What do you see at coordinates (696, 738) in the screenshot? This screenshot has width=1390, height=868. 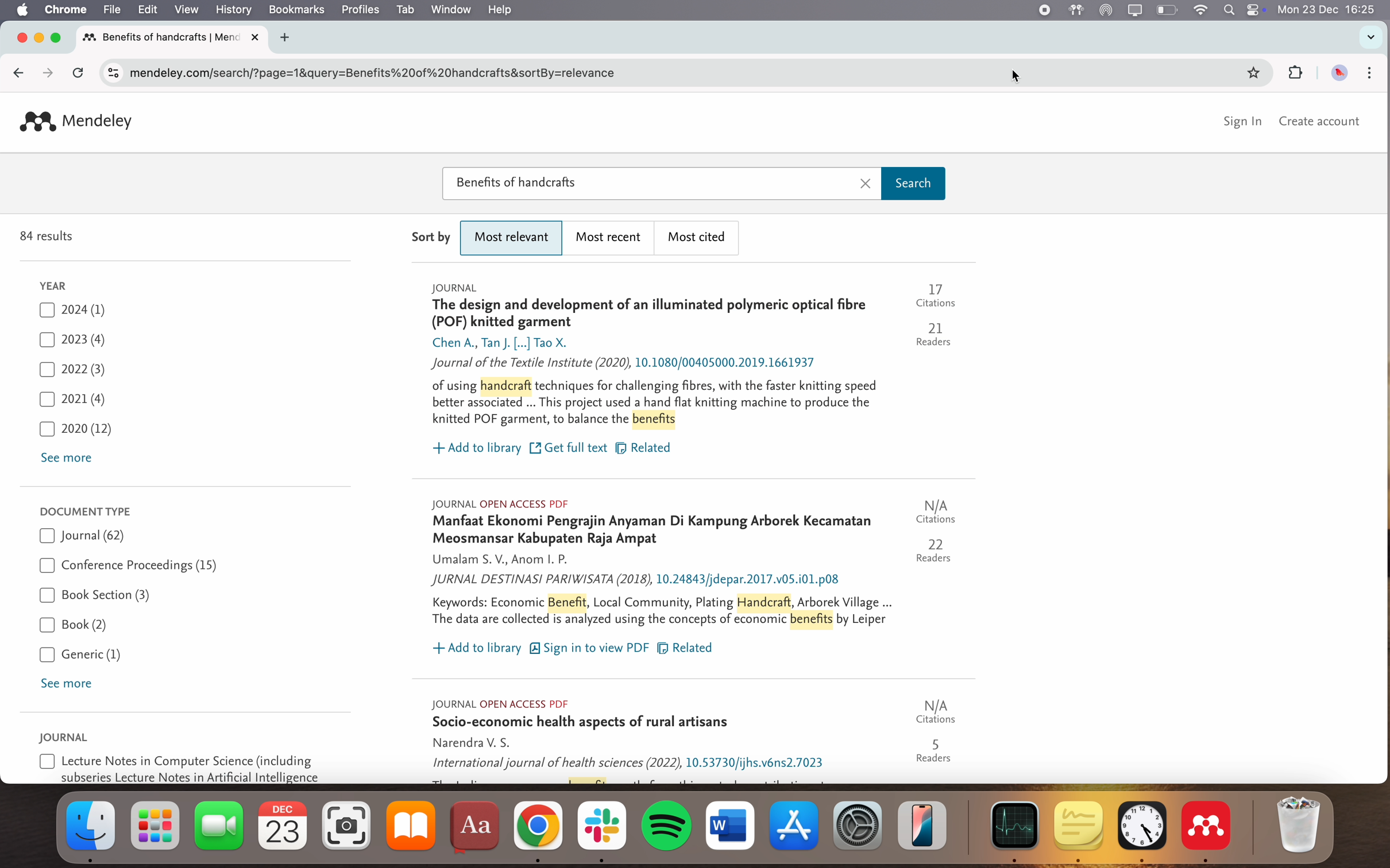 I see `article` at bounding box center [696, 738].